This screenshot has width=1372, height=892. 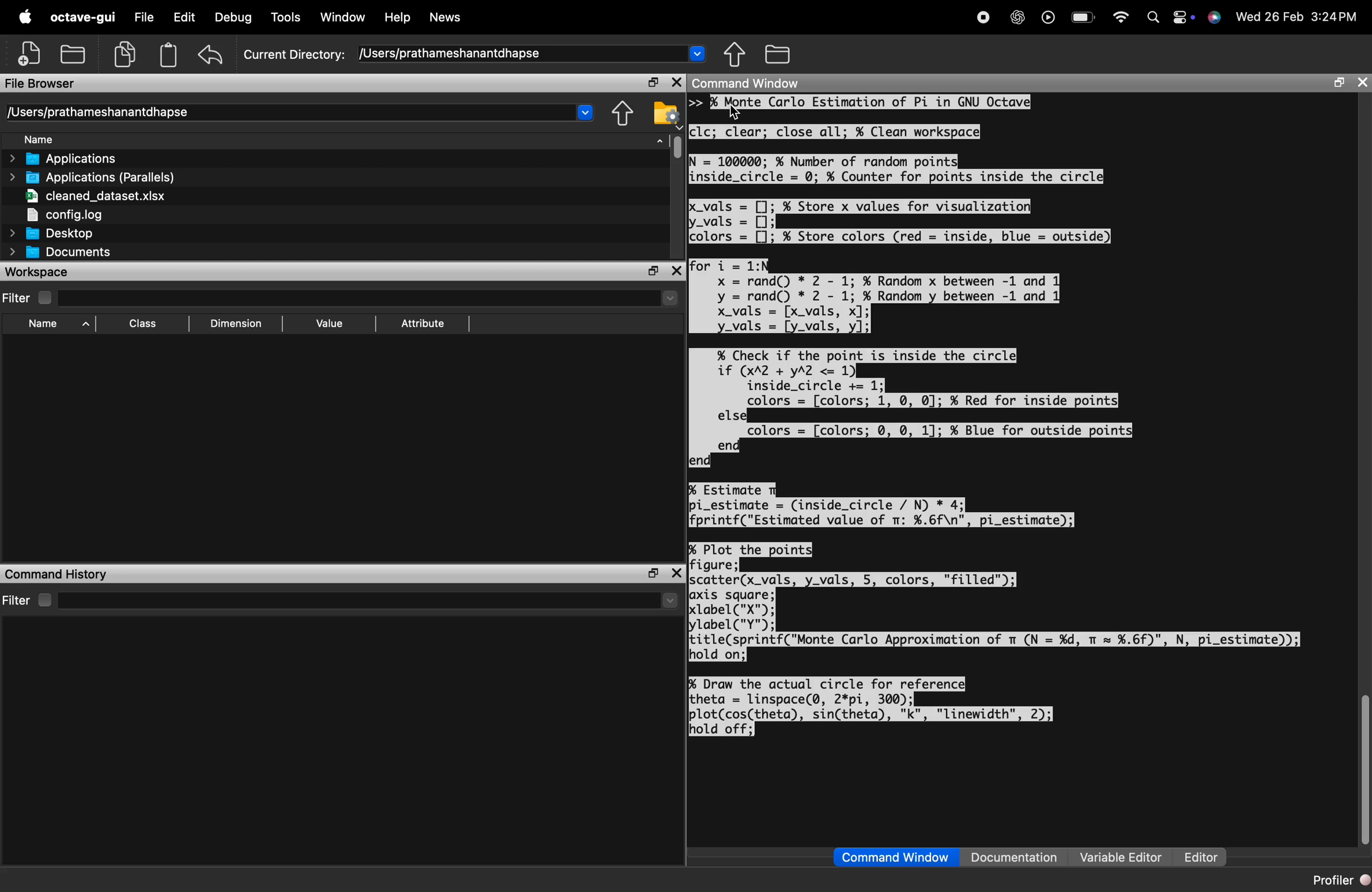 I want to click on Scroll bar, so click(x=1361, y=771).